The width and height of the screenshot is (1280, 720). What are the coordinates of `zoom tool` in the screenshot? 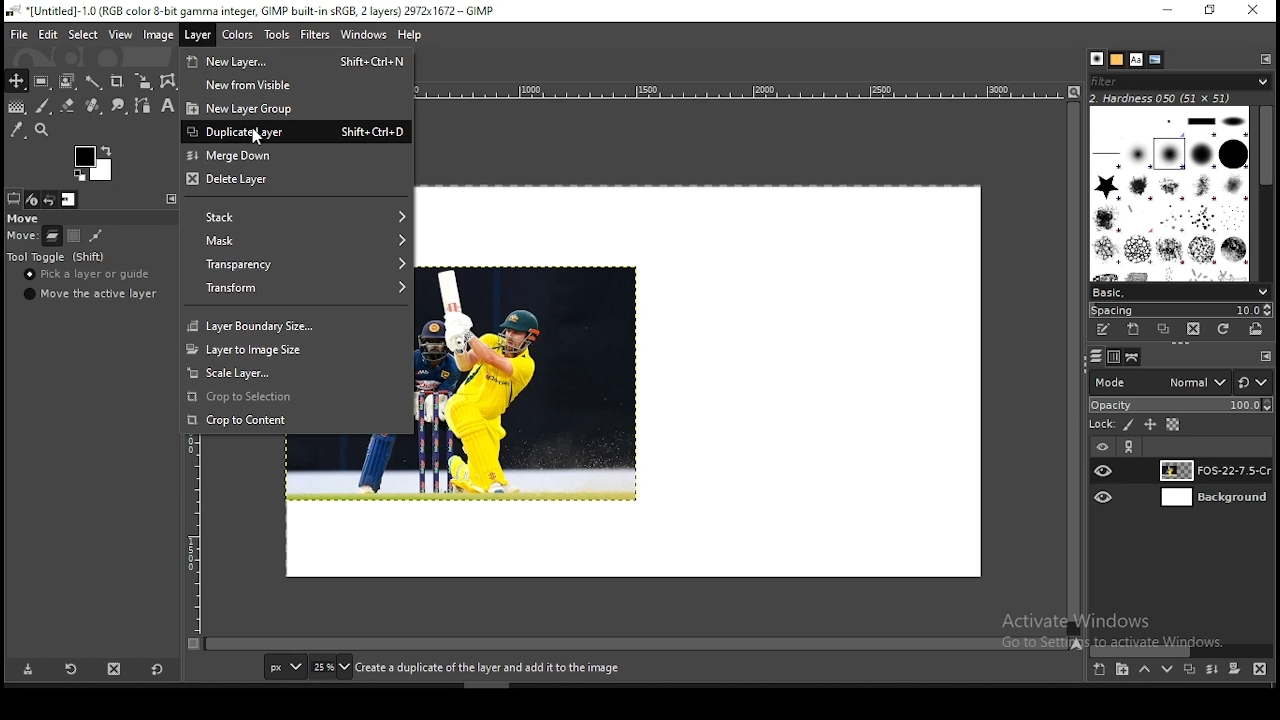 It's located at (44, 129).